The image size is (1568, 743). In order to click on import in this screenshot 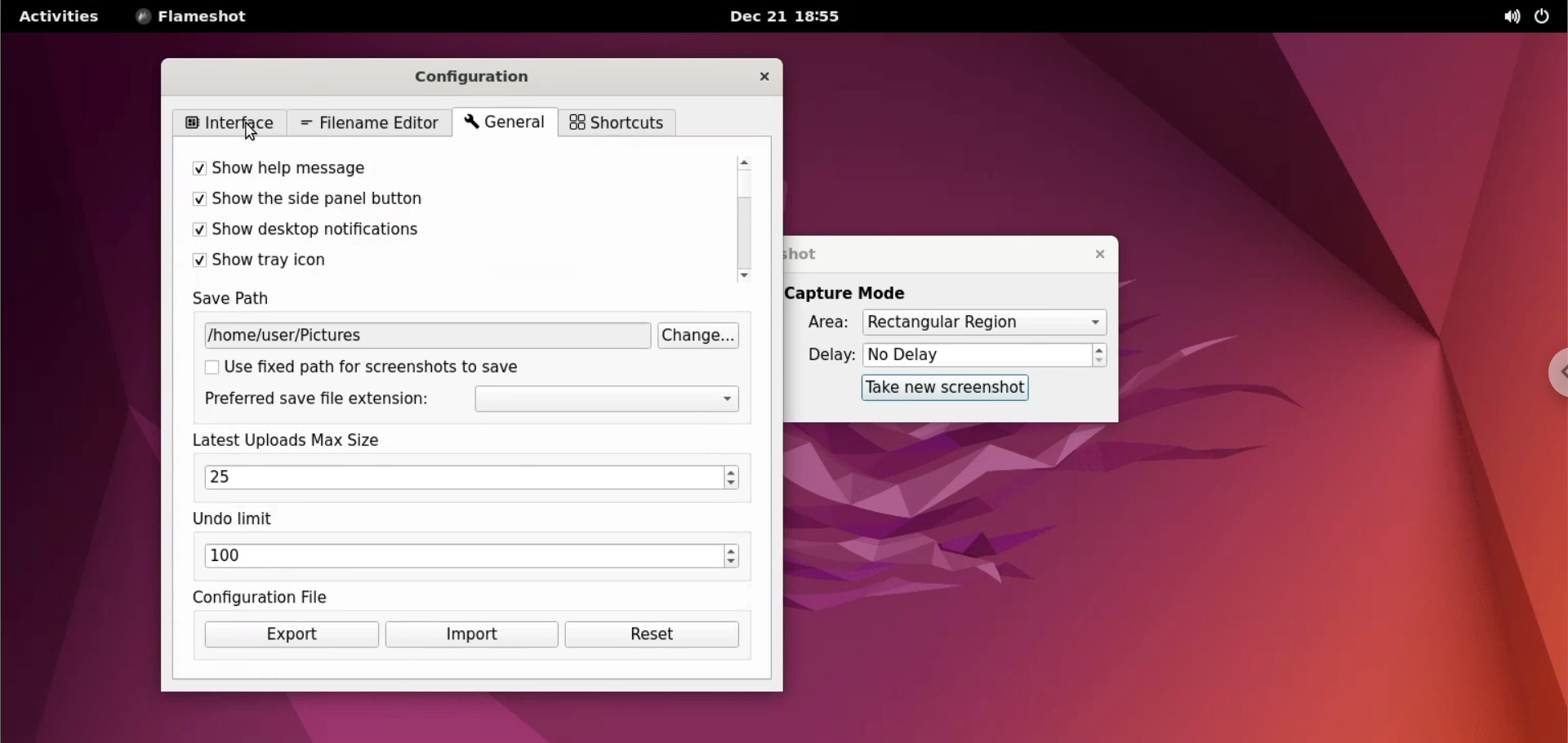, I will do `click(470, 636)`.